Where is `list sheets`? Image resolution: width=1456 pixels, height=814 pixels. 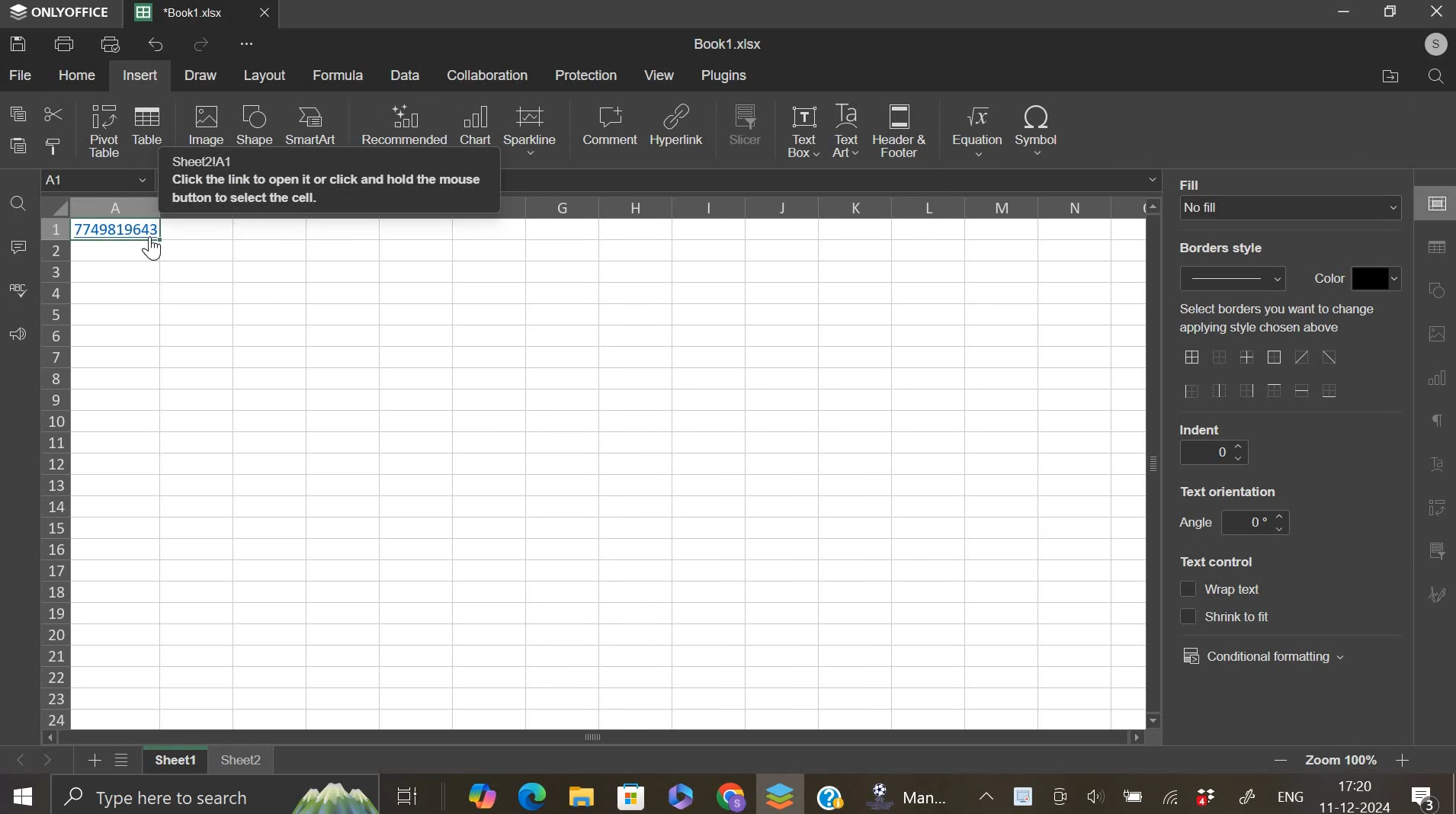
list sheets is located at coordinates (126, 761).